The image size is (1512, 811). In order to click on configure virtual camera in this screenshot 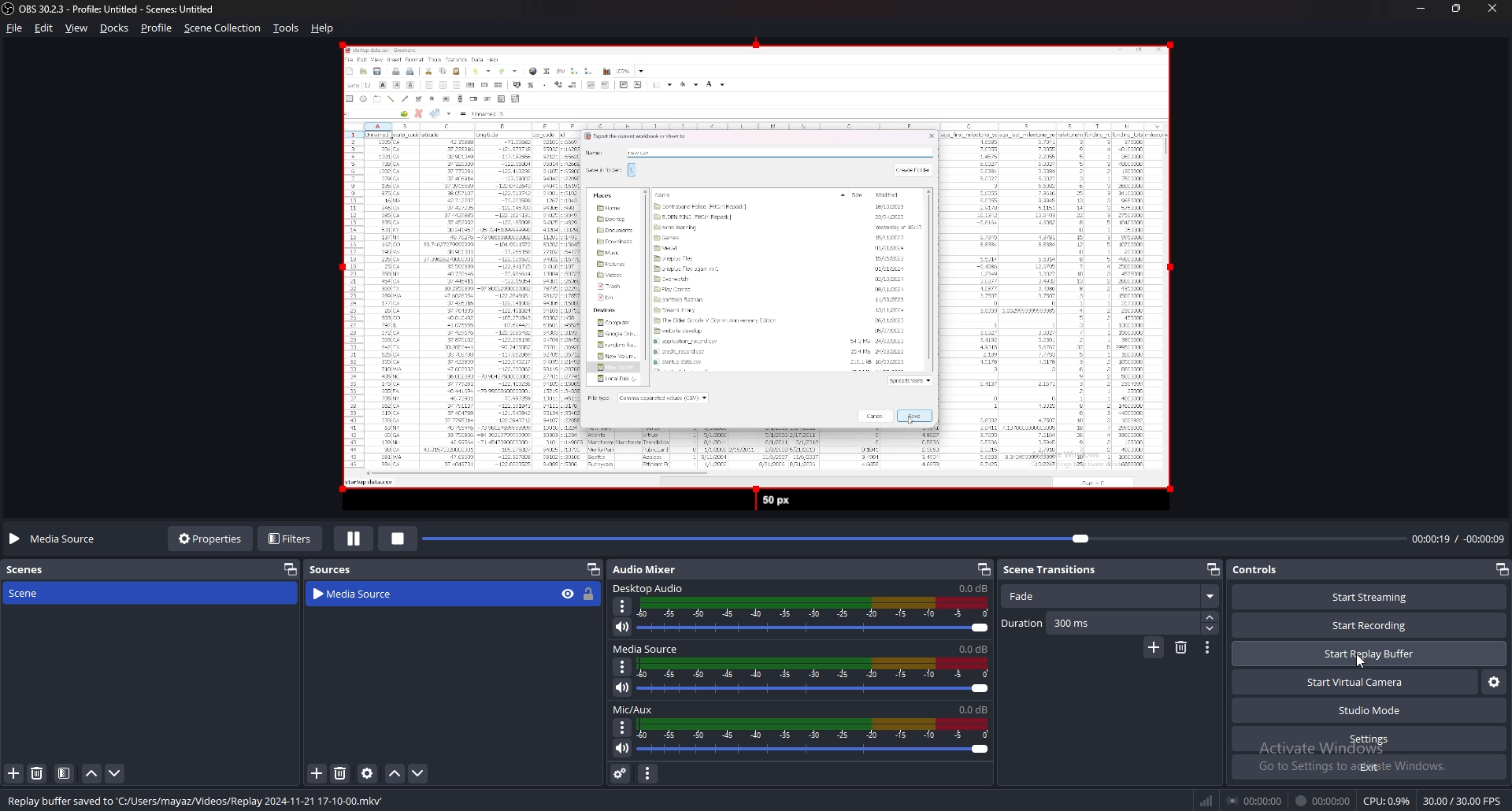, I will do `click(1493, 682)`.